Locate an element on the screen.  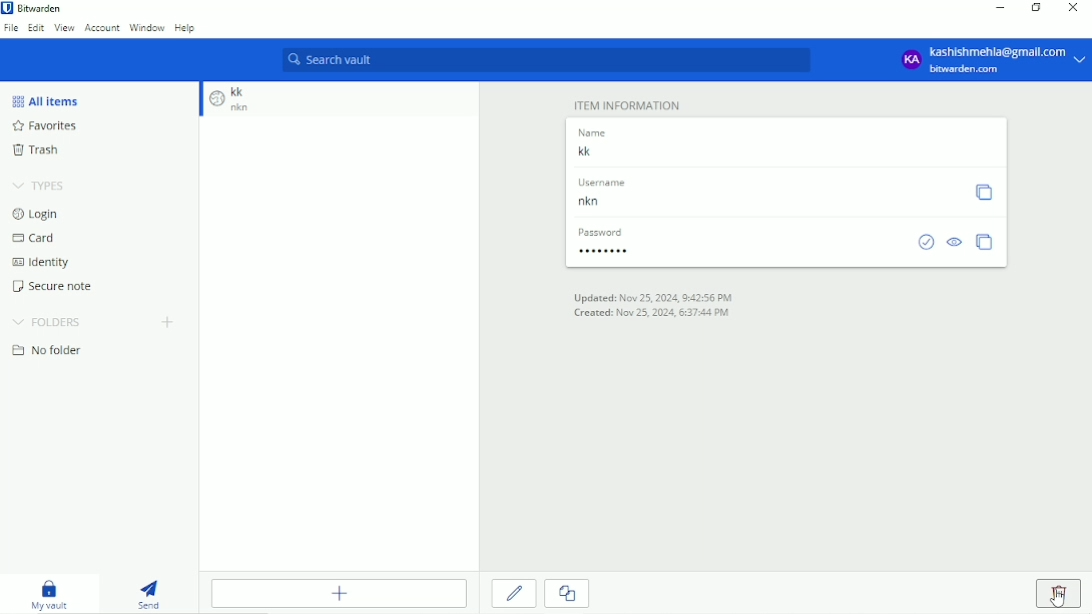
profile is located at coordinates (910, 61).